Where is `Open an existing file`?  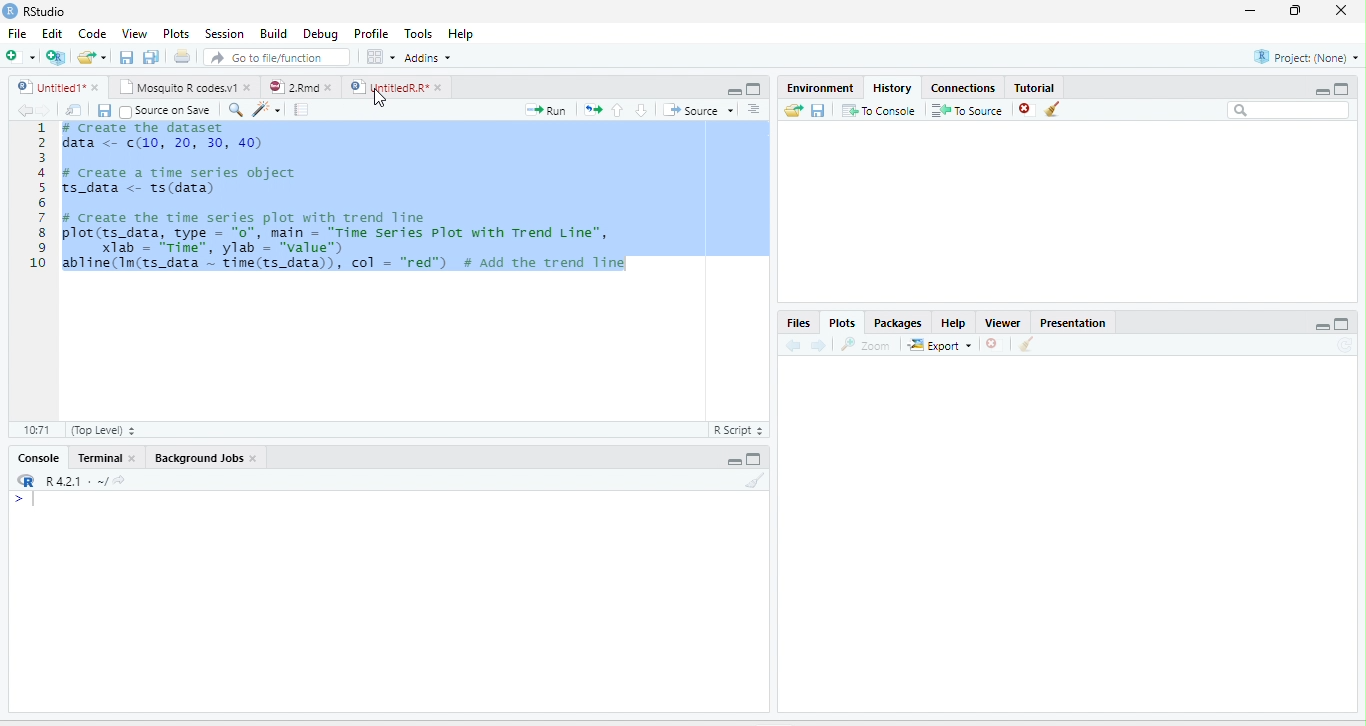 Open an existing file is located at coordinates (86, 56).